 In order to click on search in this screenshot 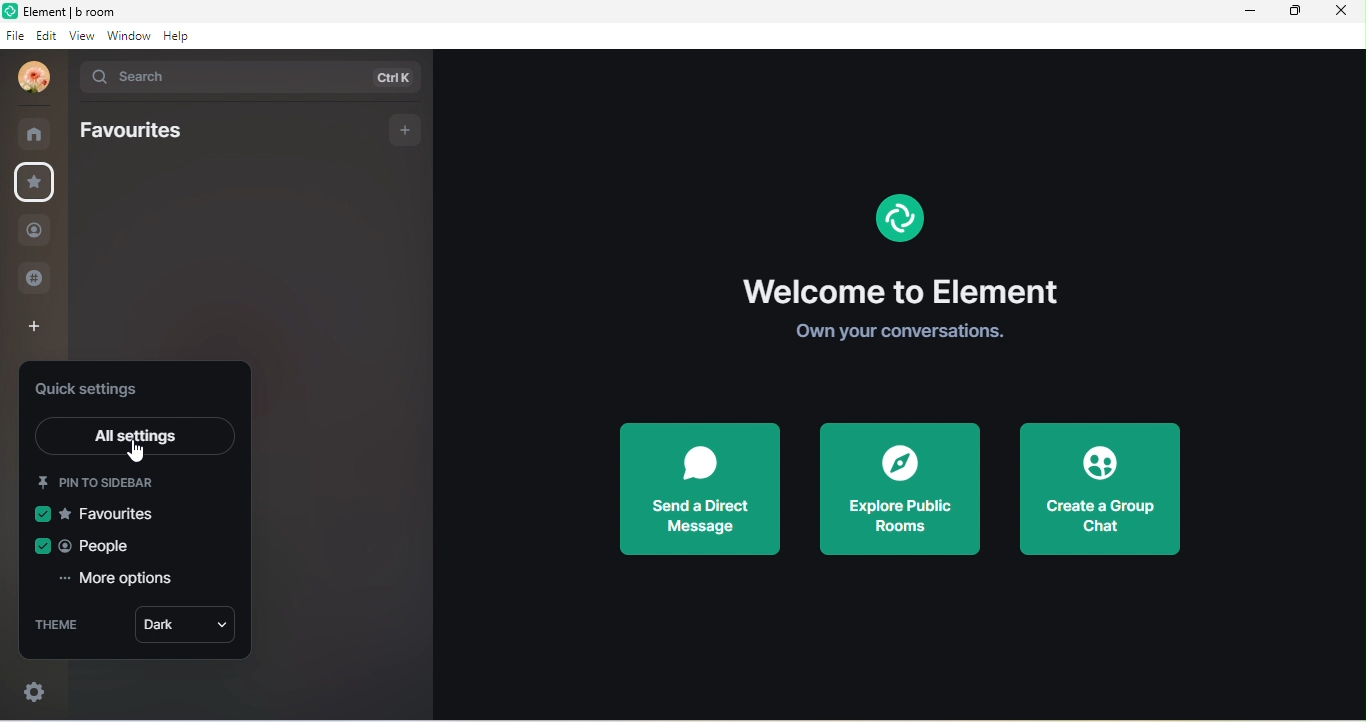, I will do `click(258, 77)`.